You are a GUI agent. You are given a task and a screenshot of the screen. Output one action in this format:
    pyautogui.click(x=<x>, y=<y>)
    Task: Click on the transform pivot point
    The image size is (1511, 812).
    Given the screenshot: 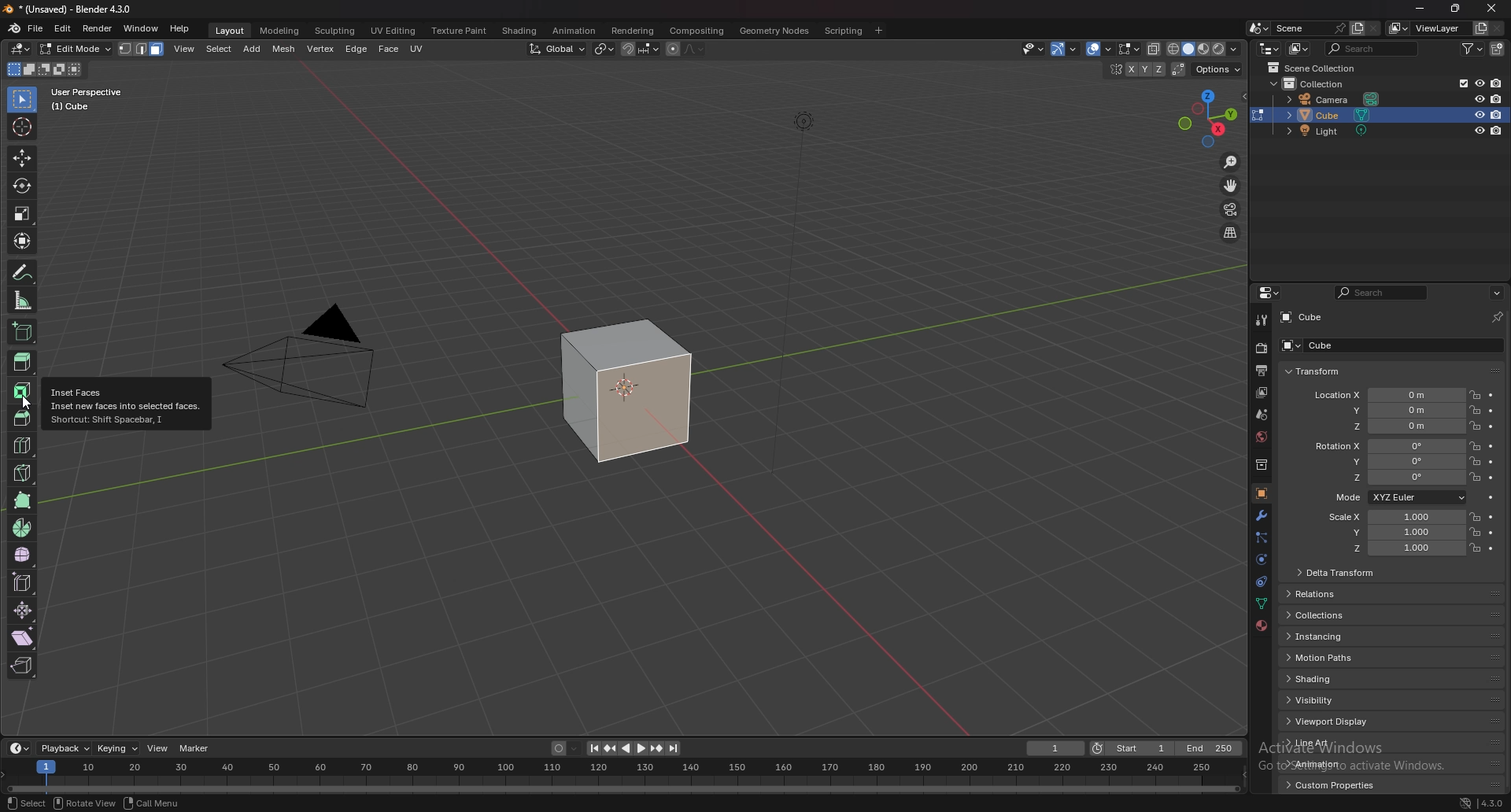 What is the action you would take?
    pyautogui.click(x=604, y=49)
    